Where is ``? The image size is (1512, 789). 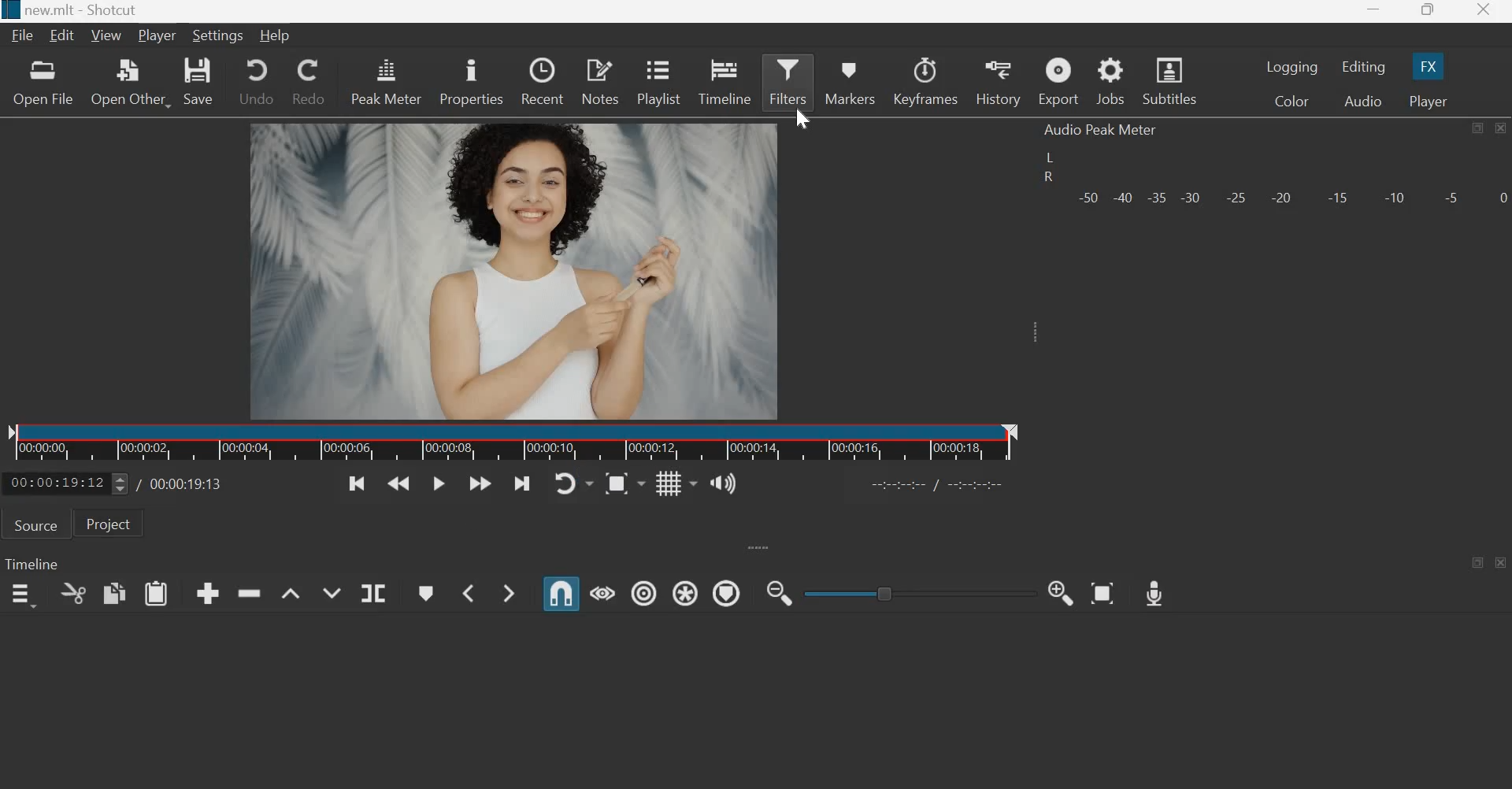  is located at coordinates (517, 269).